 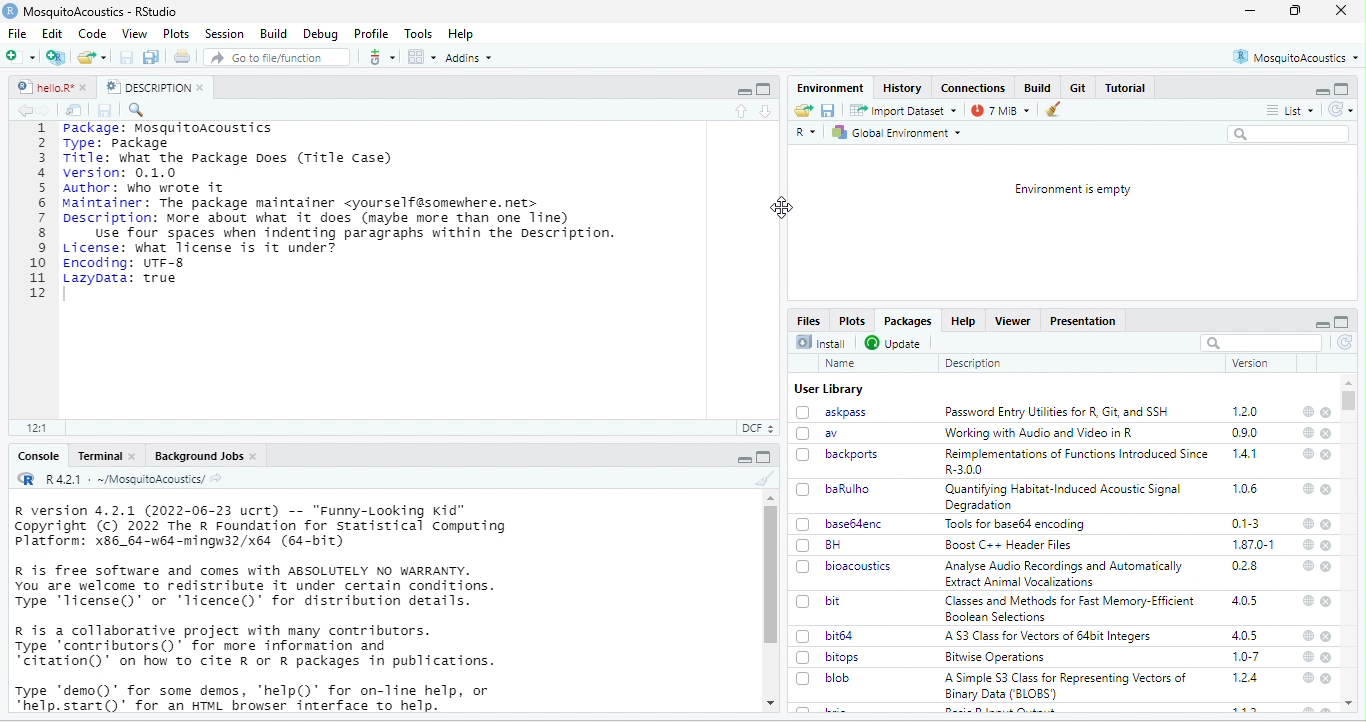 I want to click on Password Entry Utilities for R. Git. and SSH, so click(x=1058, y=412).